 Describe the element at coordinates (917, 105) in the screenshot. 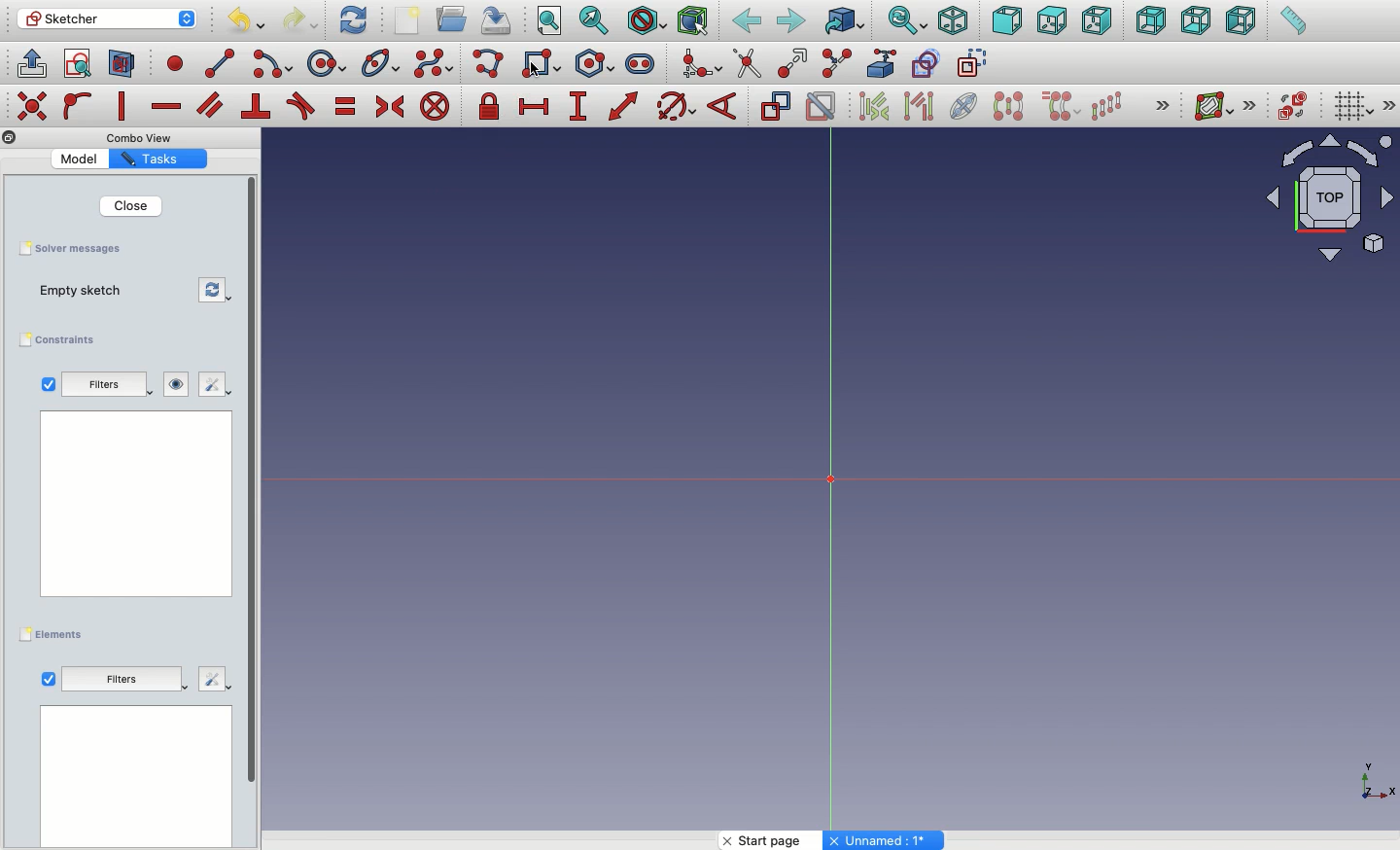

I see `Selected associated geometry` at that location.